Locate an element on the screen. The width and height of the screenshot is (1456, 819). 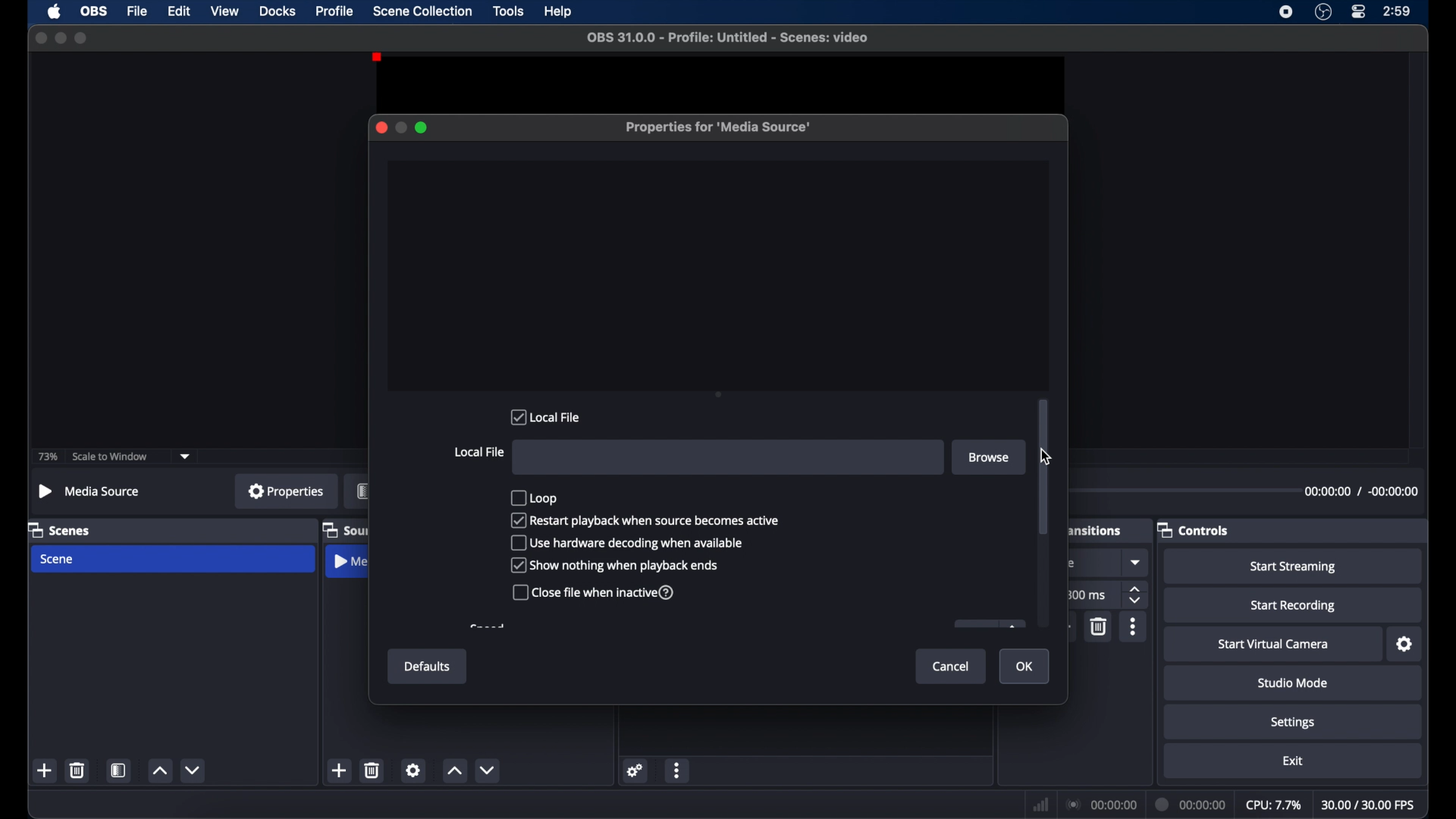
defaults is located at coordinates (428, 667).